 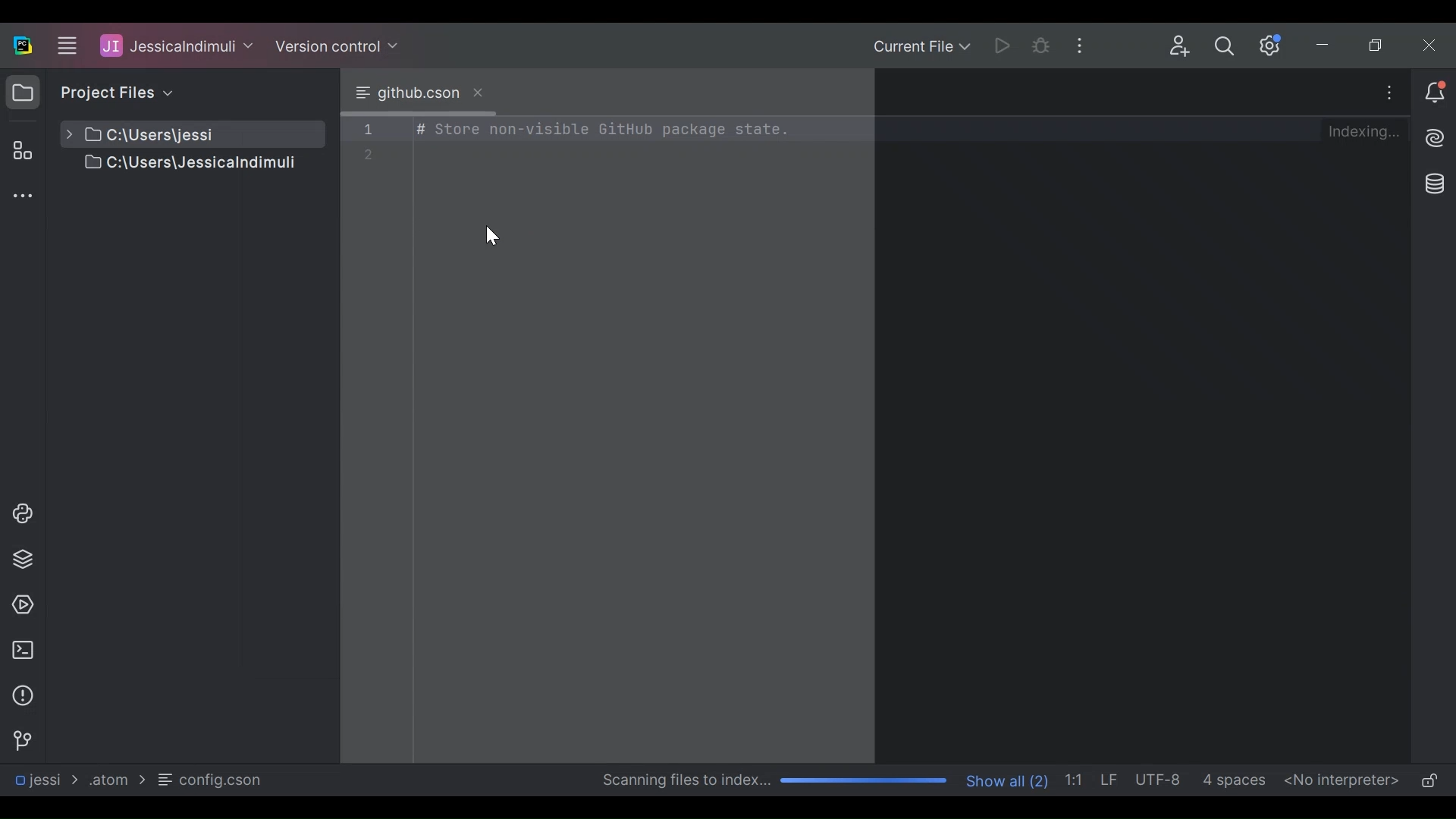 What do you see at coordinates (1432, 45) in the screenshot?
I see `Close` at bounding box center [1432, 45].